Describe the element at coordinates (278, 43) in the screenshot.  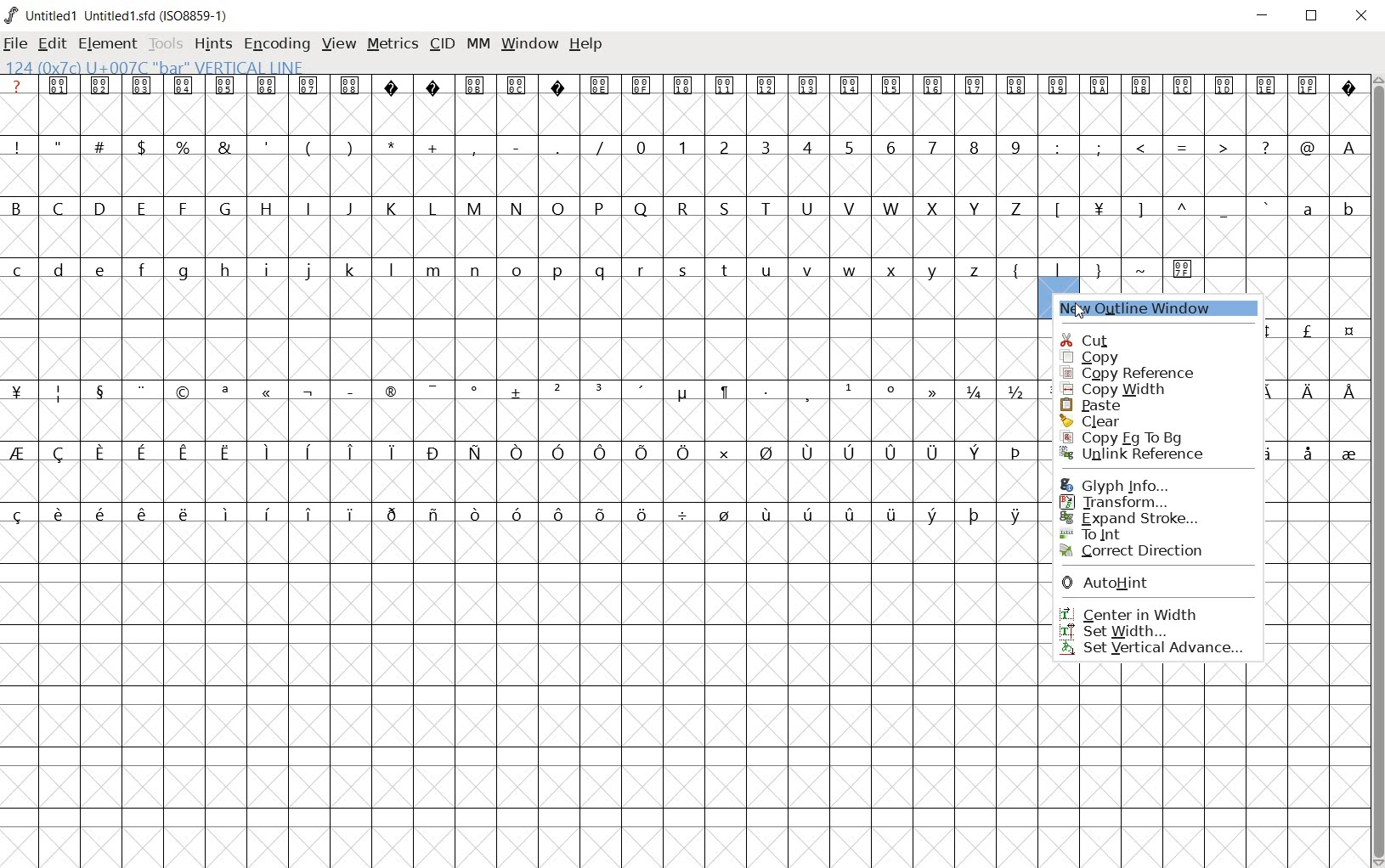
I see `encoding` at that location.